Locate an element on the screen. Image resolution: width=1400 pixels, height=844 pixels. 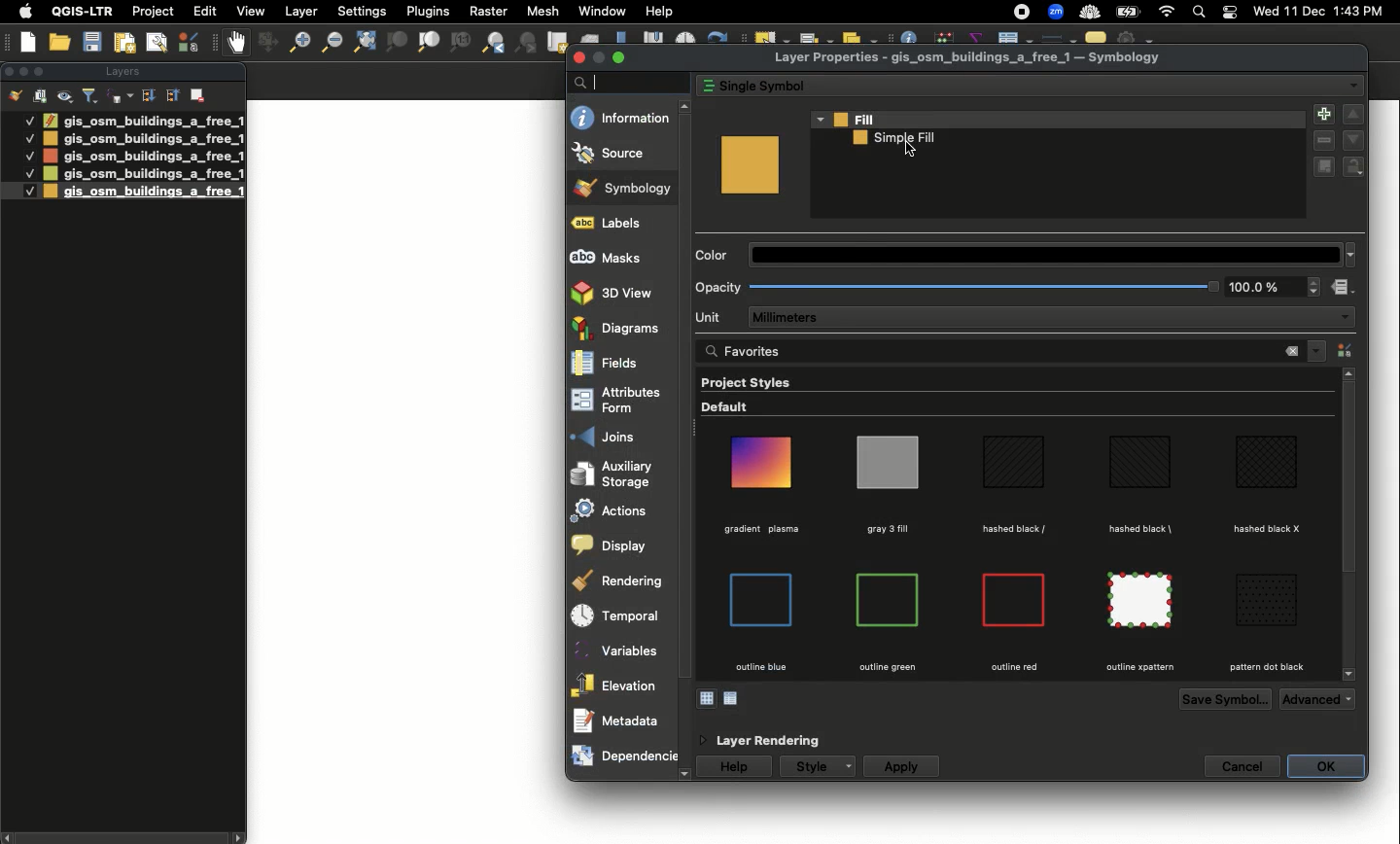
Remove is located at coordinates (199, 93).